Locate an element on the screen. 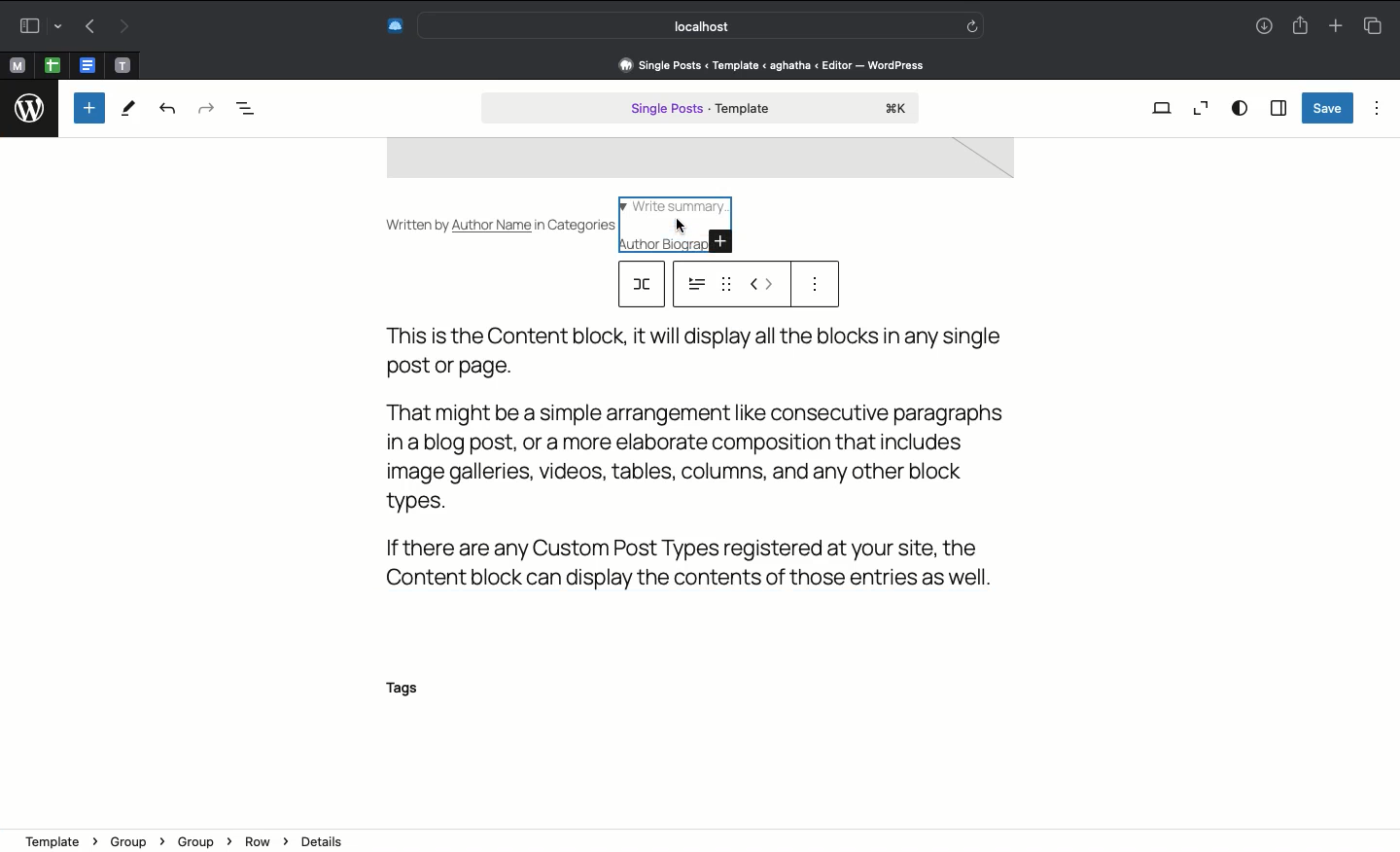 This screenshot has width=1400, height=852. Move left right is located at coordinates (760, 284).